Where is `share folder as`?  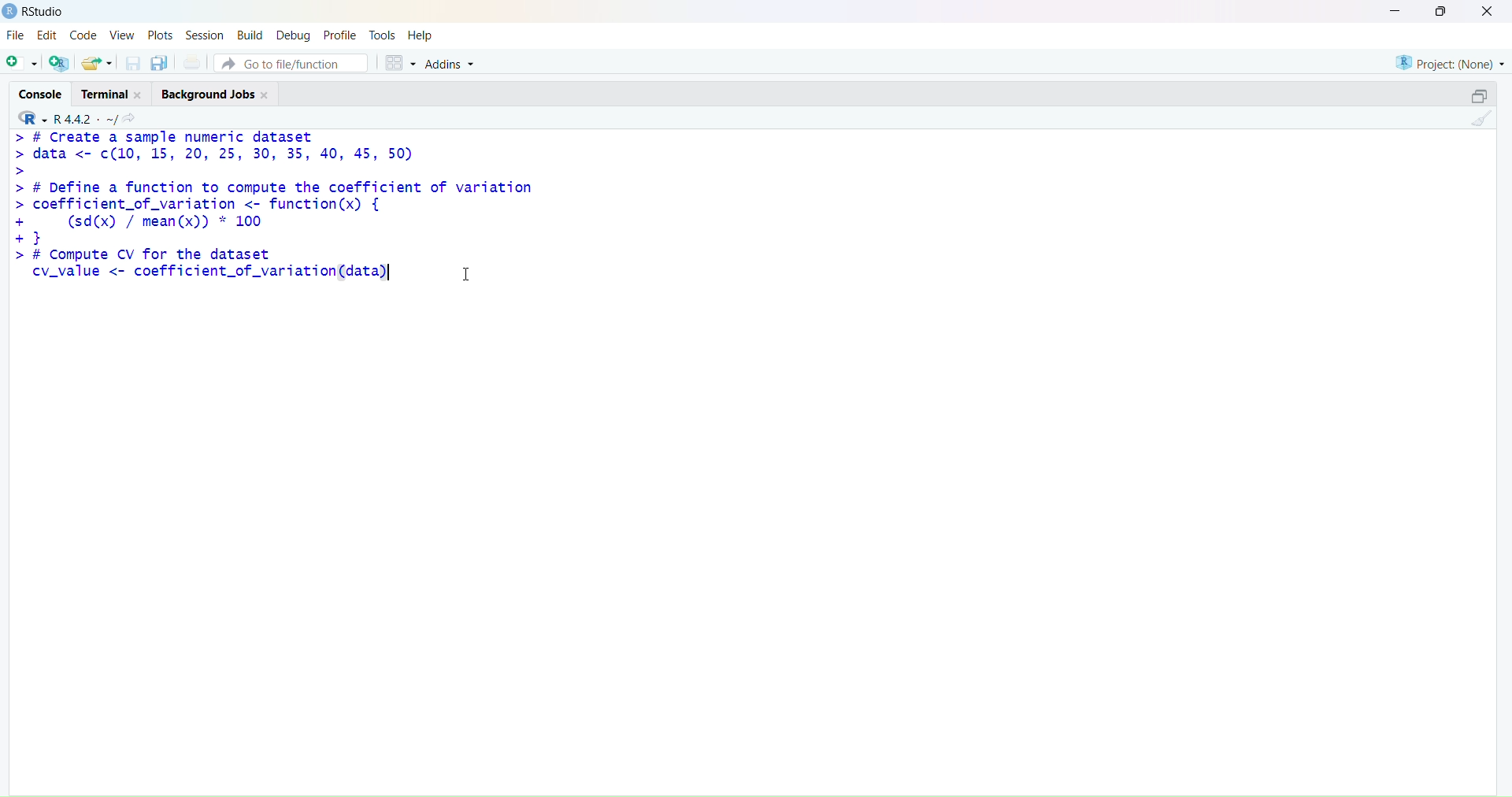
share folder as is located at coordinates (98, 63).